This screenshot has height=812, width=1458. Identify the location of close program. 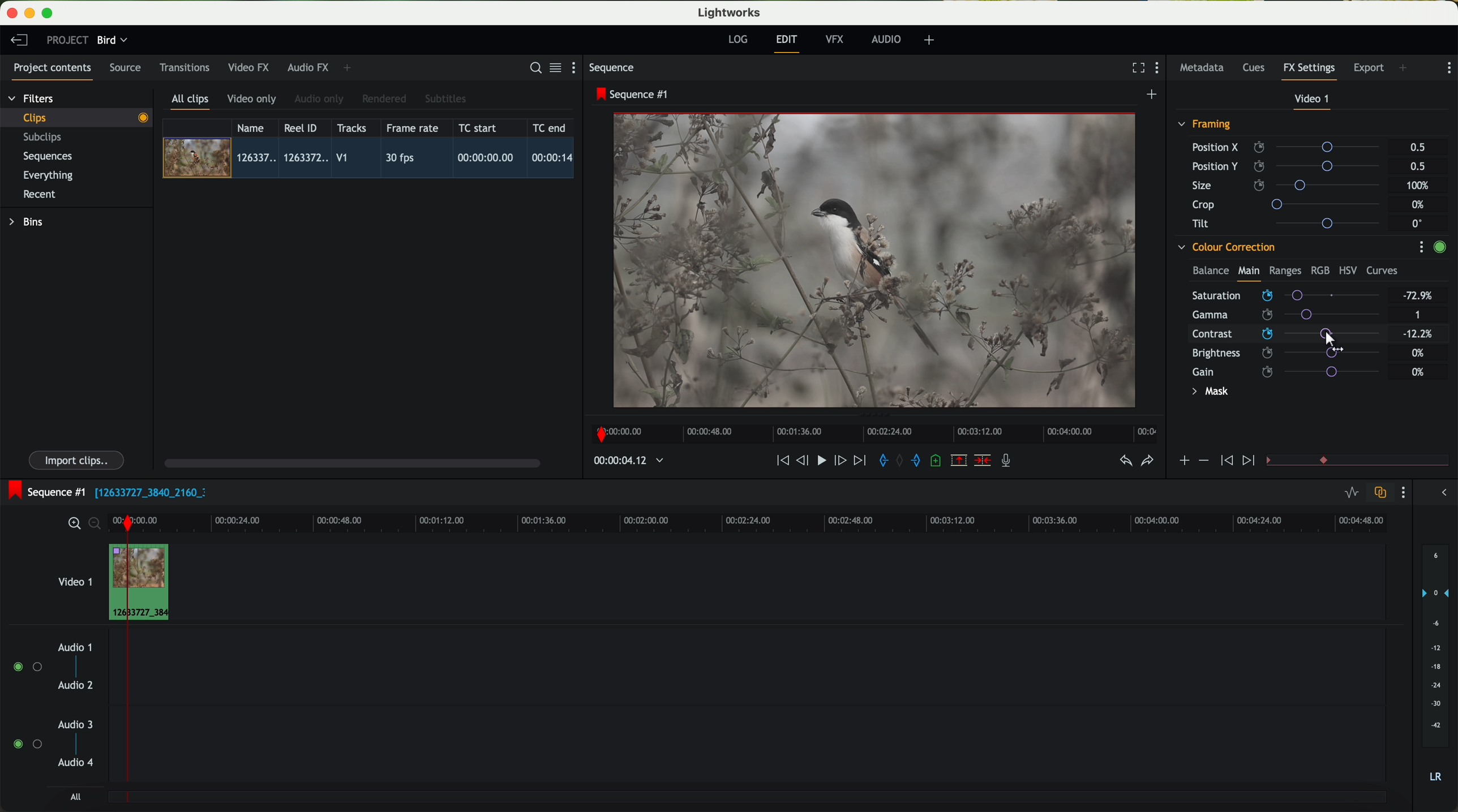
(12, 13).